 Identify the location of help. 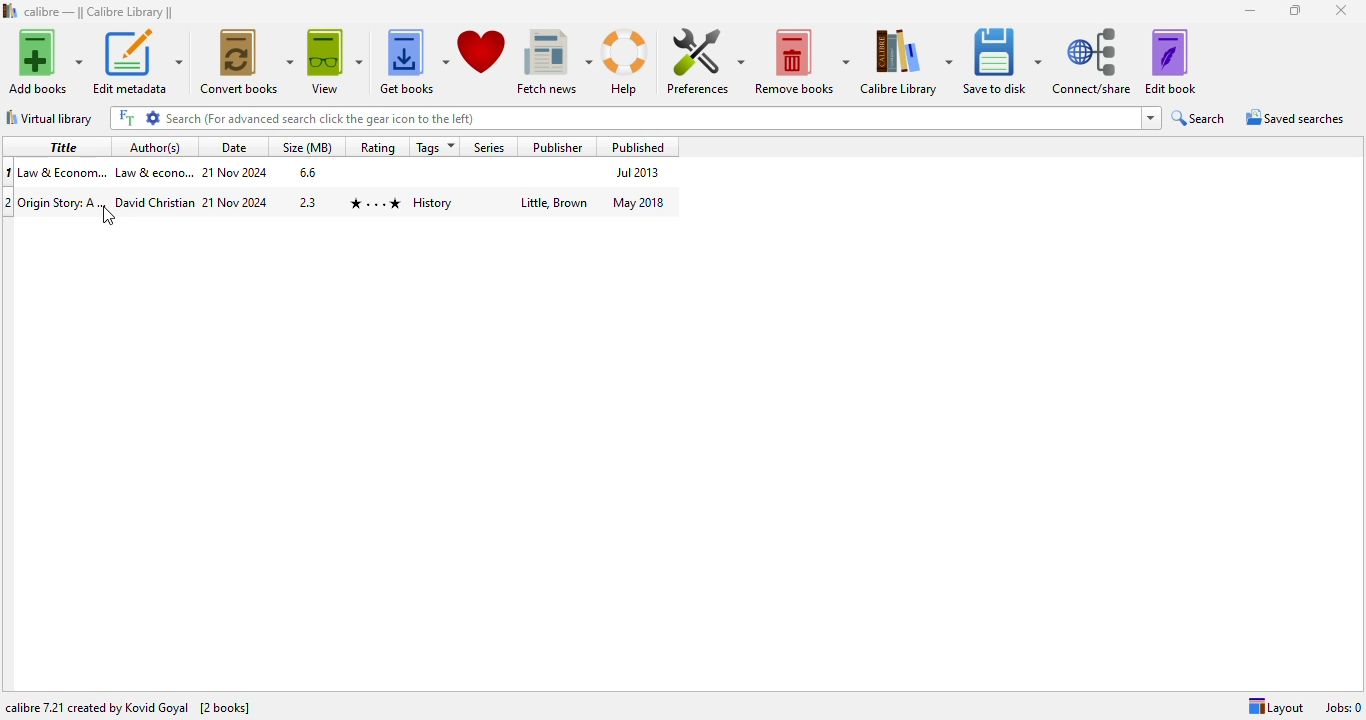
(625, 62).